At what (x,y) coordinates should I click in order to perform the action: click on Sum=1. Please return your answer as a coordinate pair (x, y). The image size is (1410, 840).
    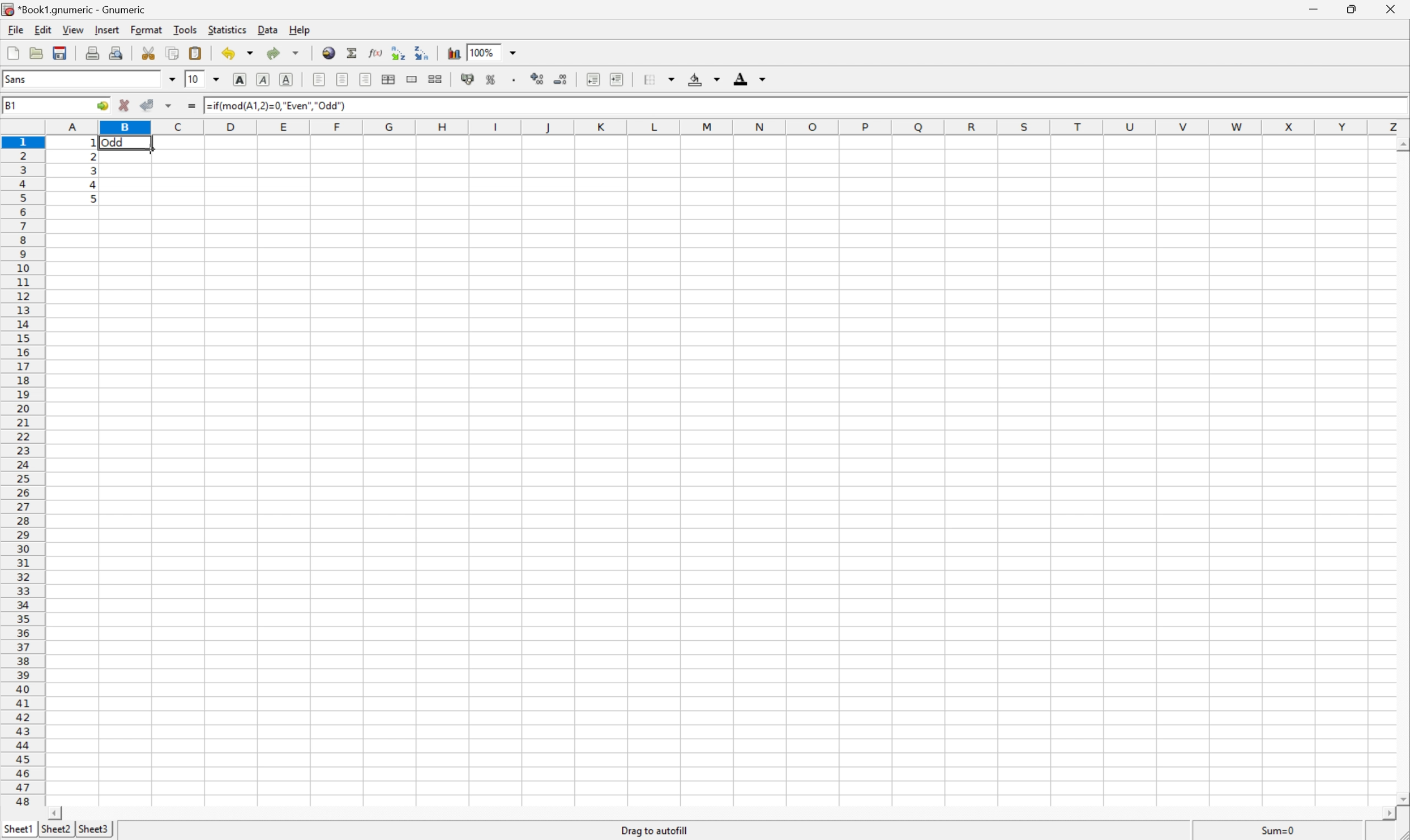
    Looking at the image, I should click on (1279, 832).